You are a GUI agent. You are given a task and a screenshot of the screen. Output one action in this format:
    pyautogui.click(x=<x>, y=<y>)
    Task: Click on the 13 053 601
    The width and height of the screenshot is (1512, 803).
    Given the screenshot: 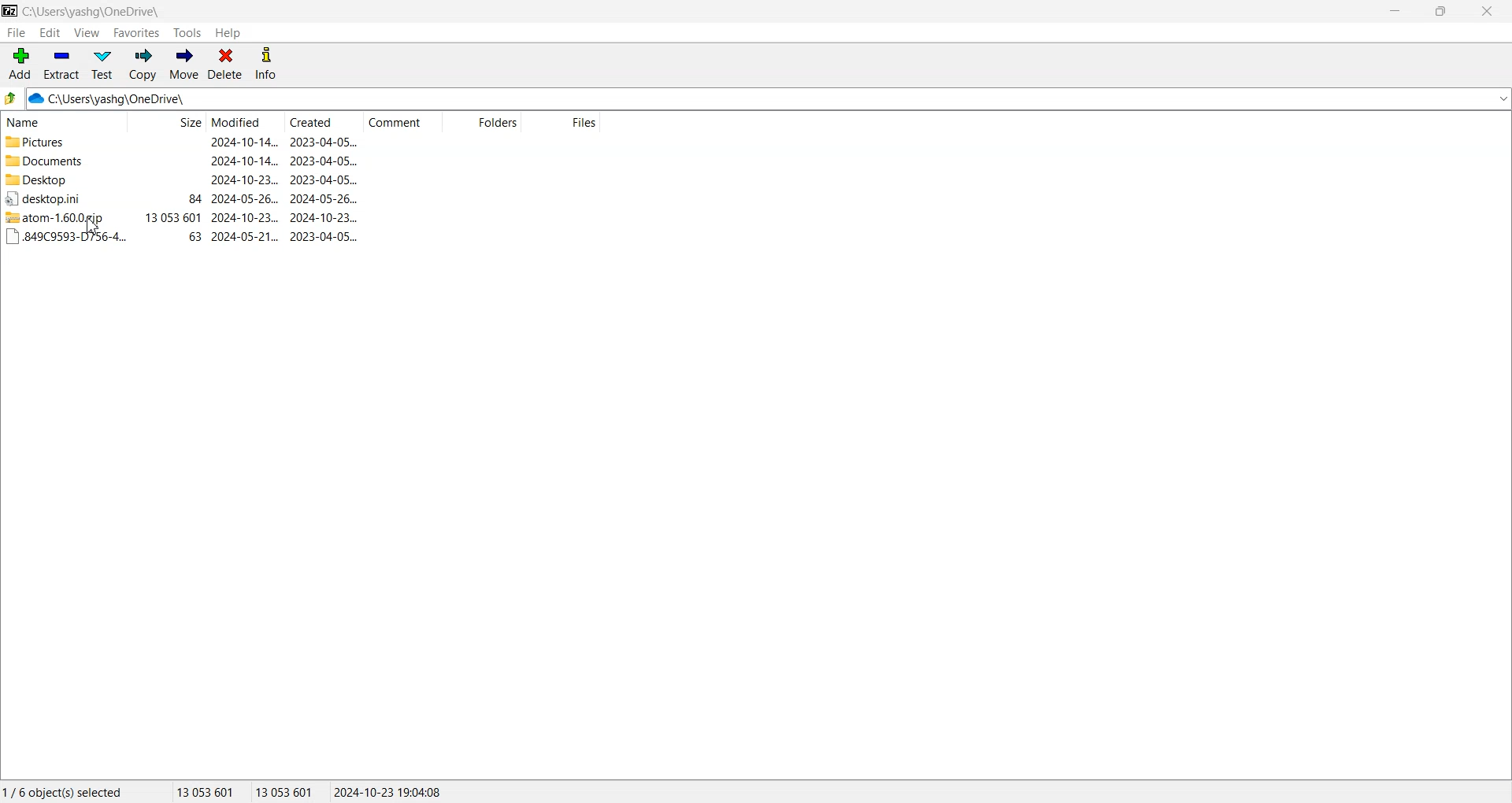 What is the action you would take?
    pyautogui.click(x=285, y=791)
    